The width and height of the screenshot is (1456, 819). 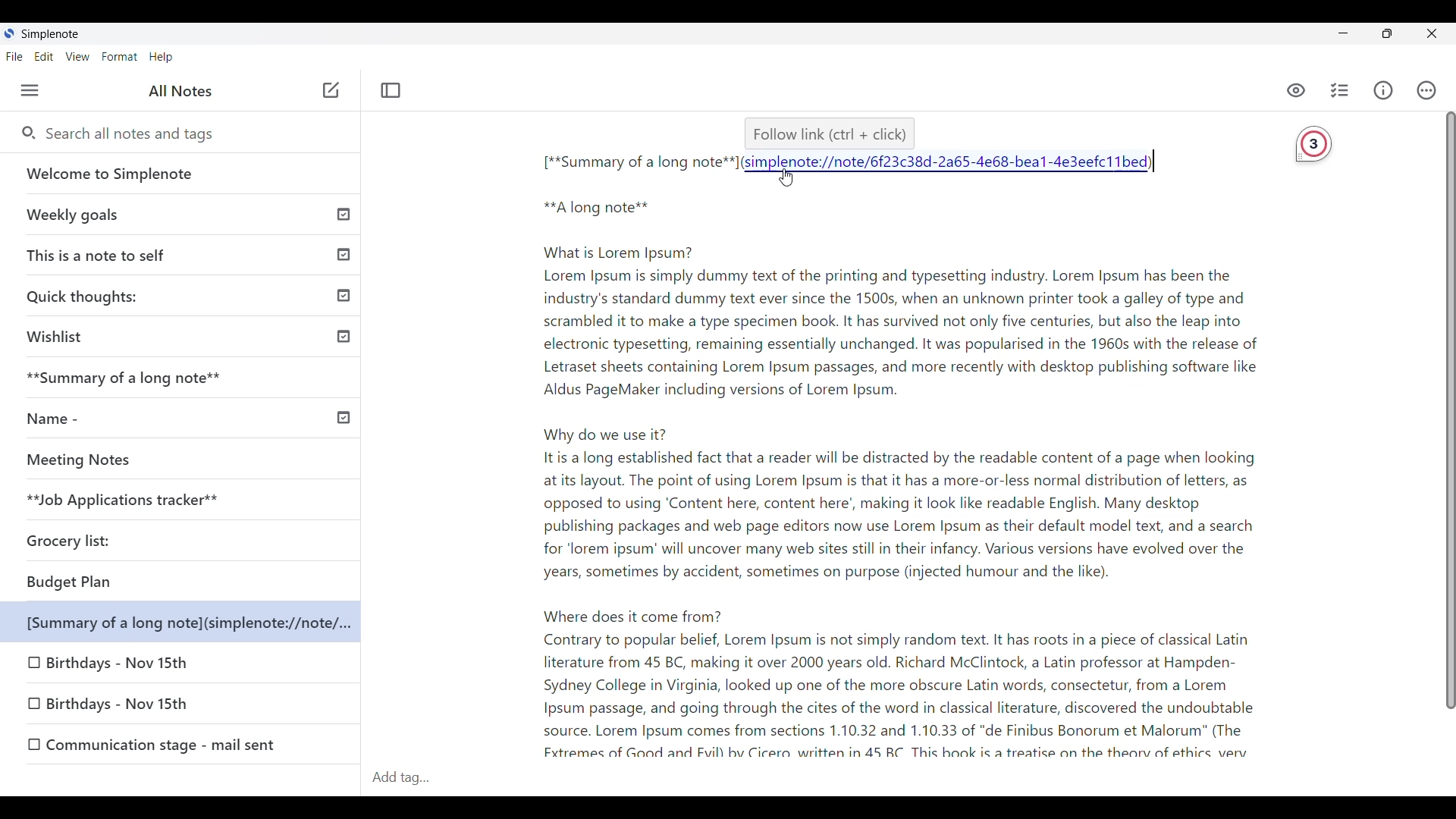 I want to click on [Summary of a long note](simplenote://note/..., so click(x=190, y=623).